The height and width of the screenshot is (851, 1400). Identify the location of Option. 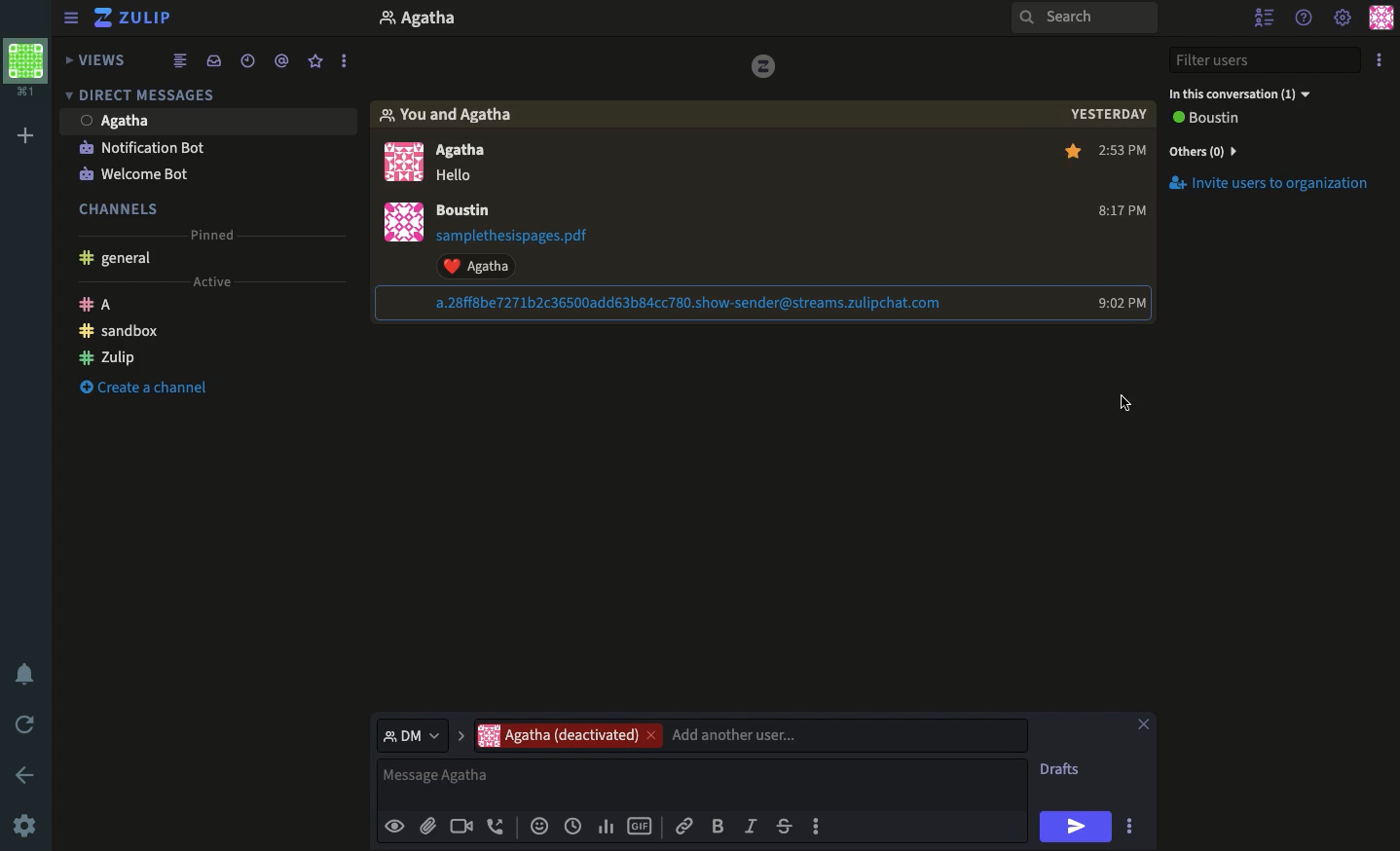
(1380, 59).